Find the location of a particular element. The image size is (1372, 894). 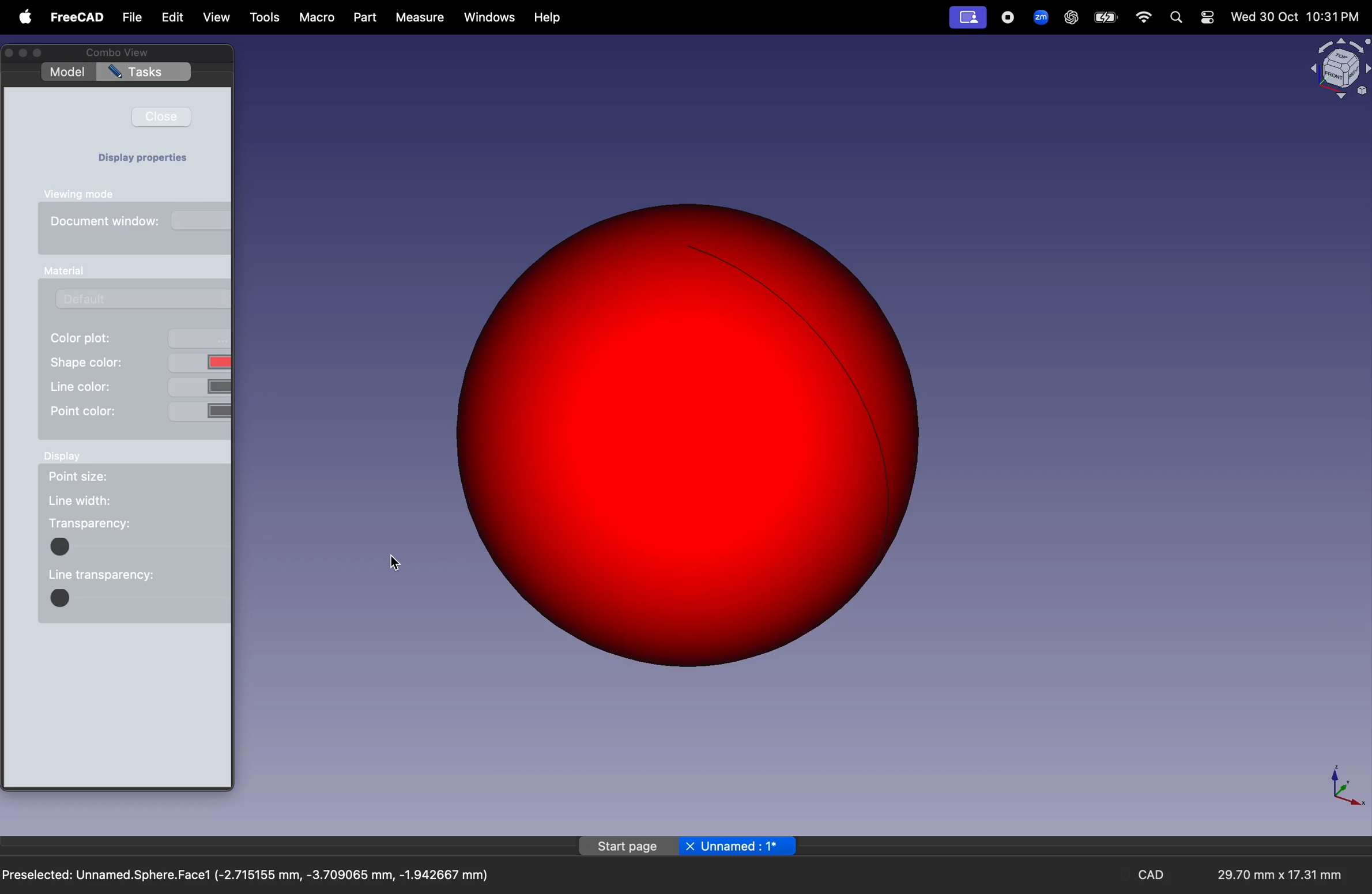

marco is located at coordinates (318, 18).